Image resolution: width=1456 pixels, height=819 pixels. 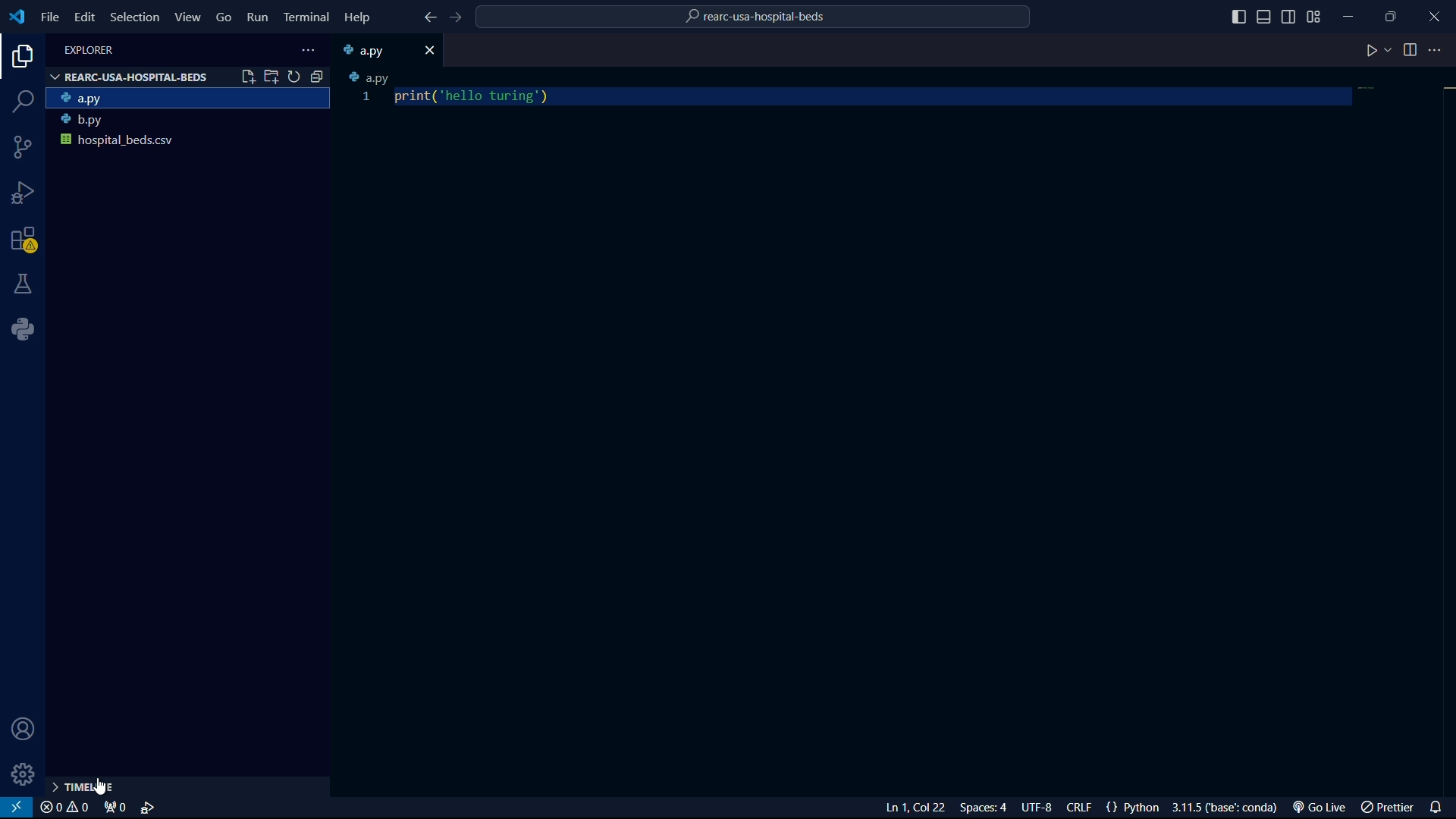 I want to click on select and start debug configuration, so click(x=149, y=808).